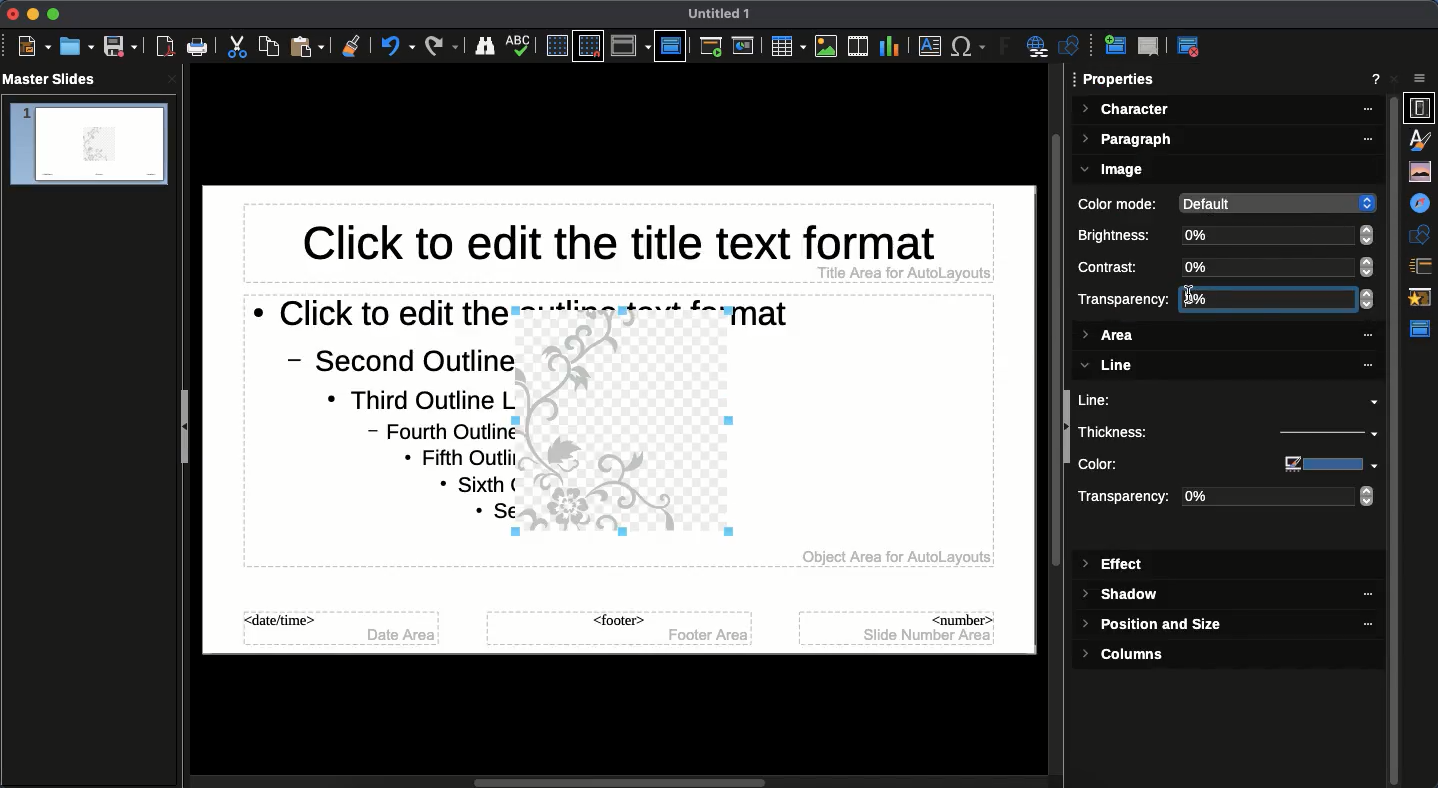 The width and height of the screenshot is (1438, 788). Describe the element at coordinates (1006, 49) in the screenshot. I see `Fontwork` at that location.